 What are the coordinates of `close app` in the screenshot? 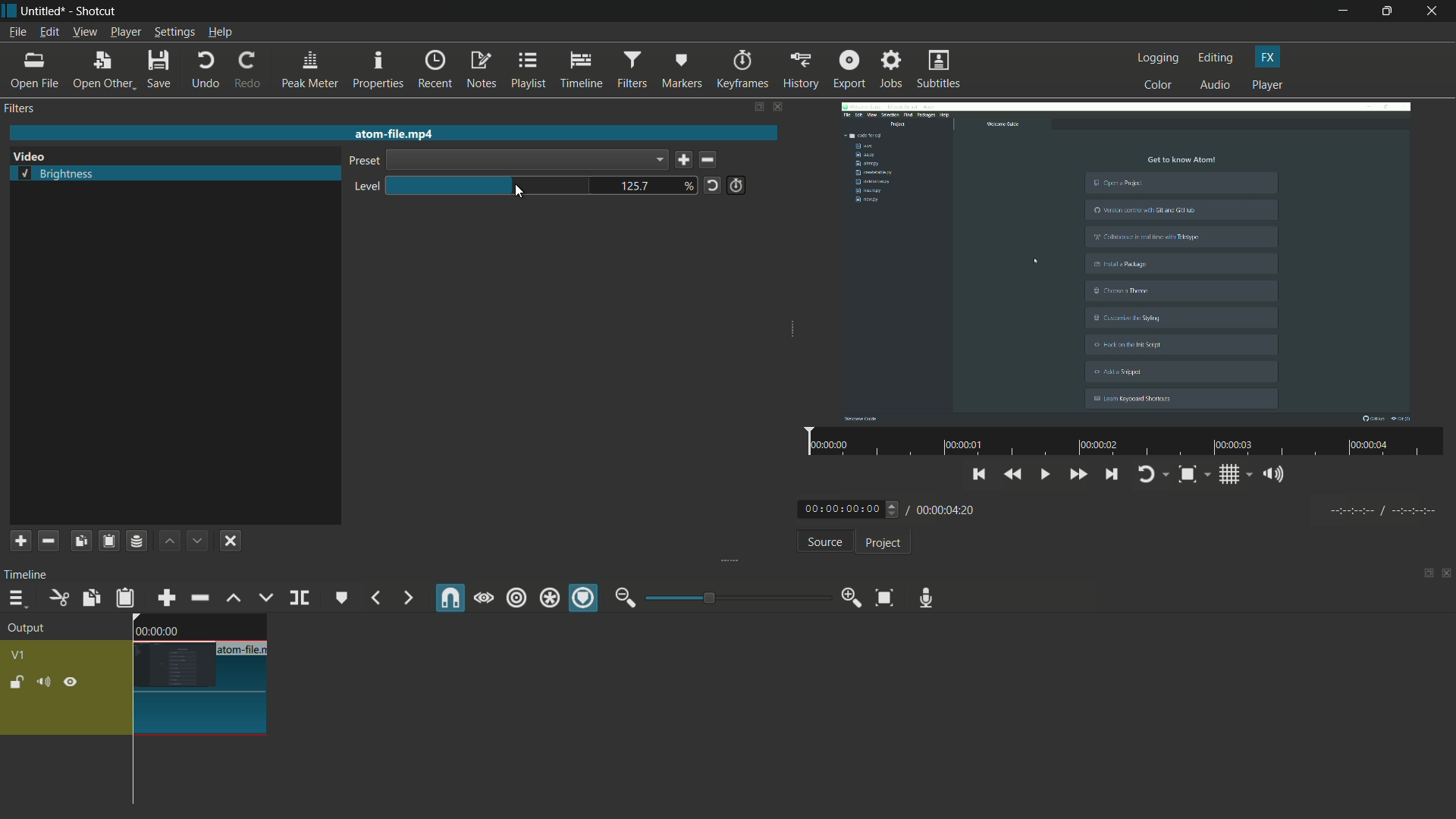 It's located at (1434, 11).